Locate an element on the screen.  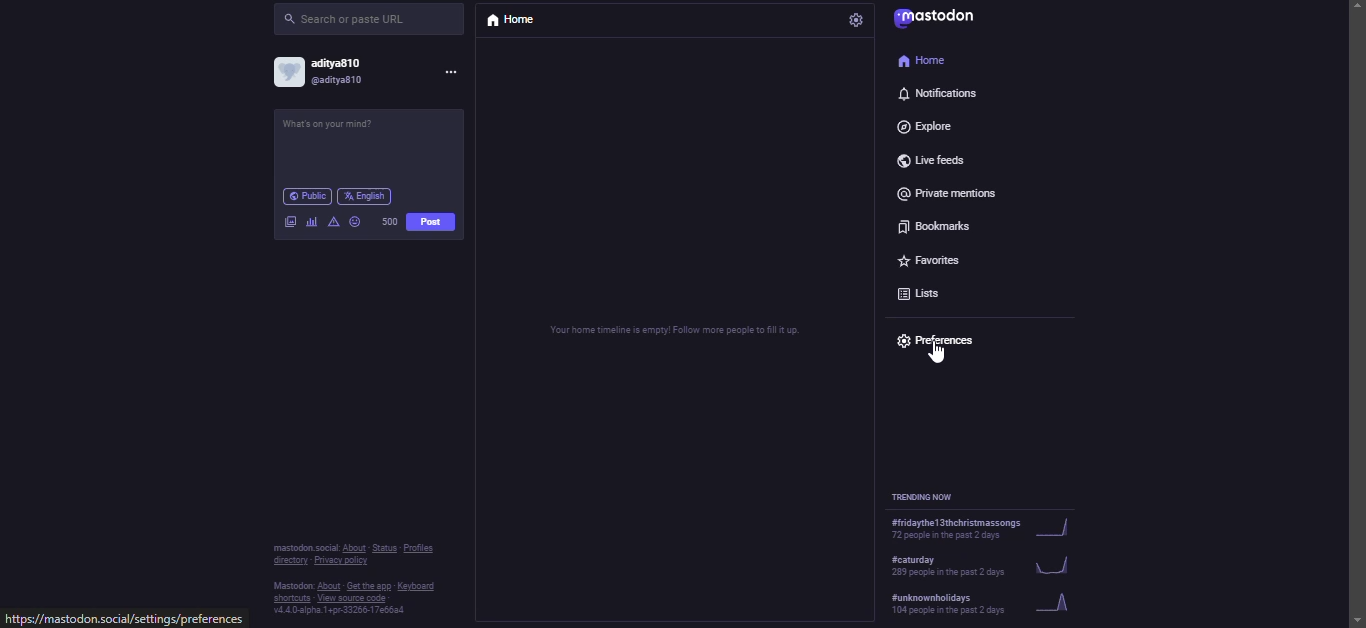
home is located at coordinates (514, 21).